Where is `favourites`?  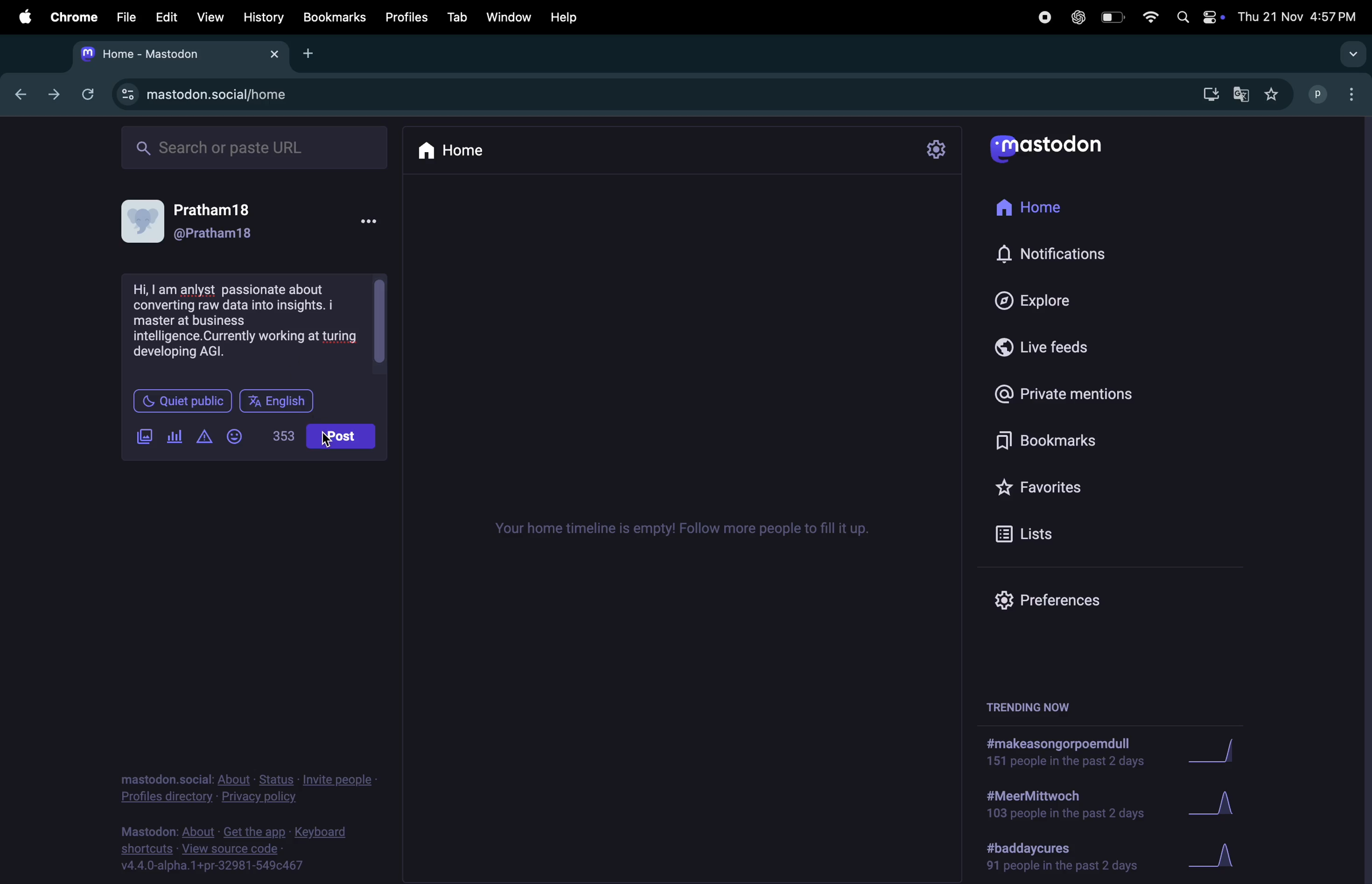 favourites is located at coordinates (1048, 490).